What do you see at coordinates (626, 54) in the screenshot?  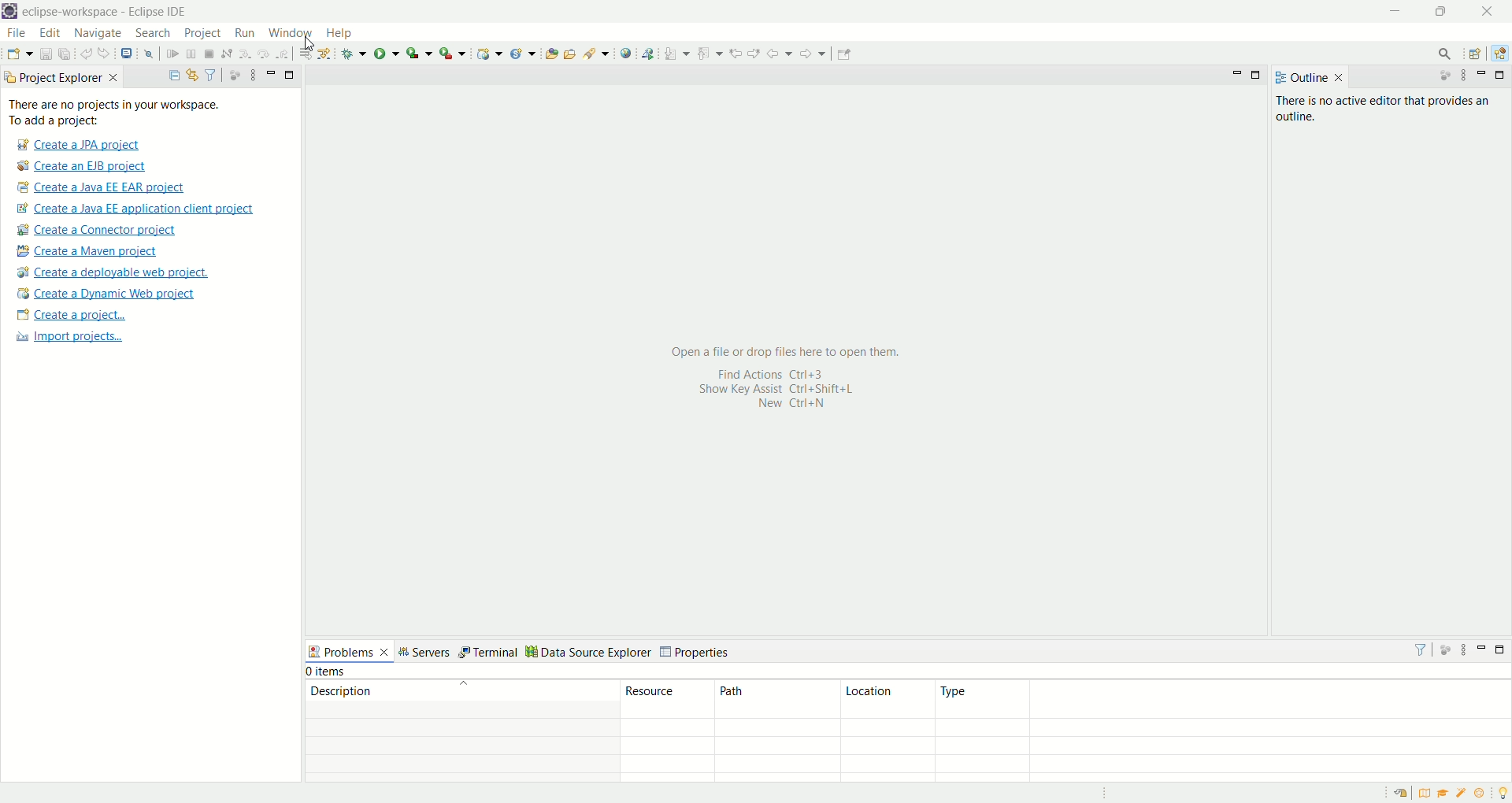 I see `open web browser` at bounding box center [626, 54].